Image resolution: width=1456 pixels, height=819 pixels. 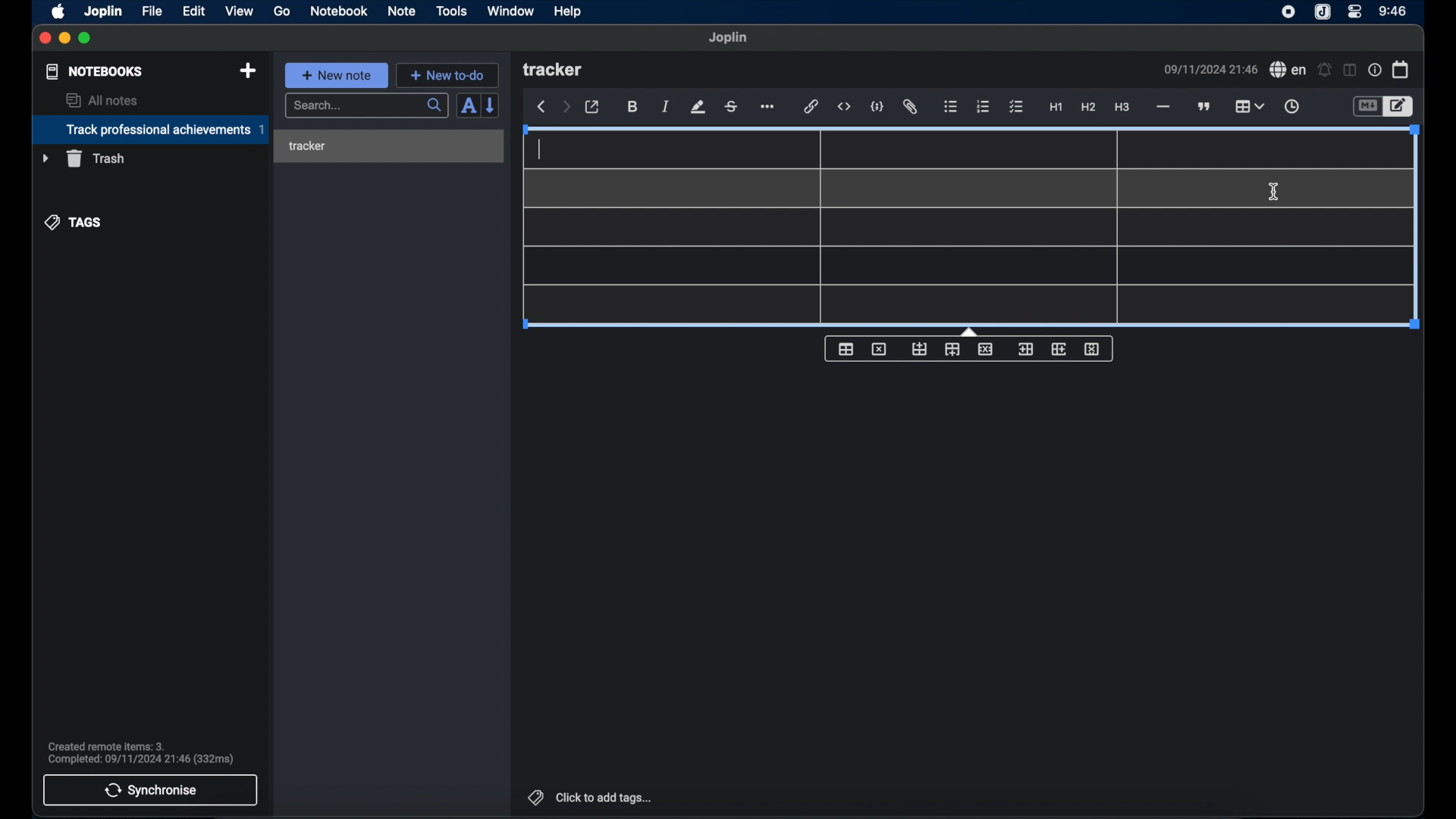 What do you see at coordinates (401, 11) in the screenshot?
I see `note` at bounding box center [401, 11].